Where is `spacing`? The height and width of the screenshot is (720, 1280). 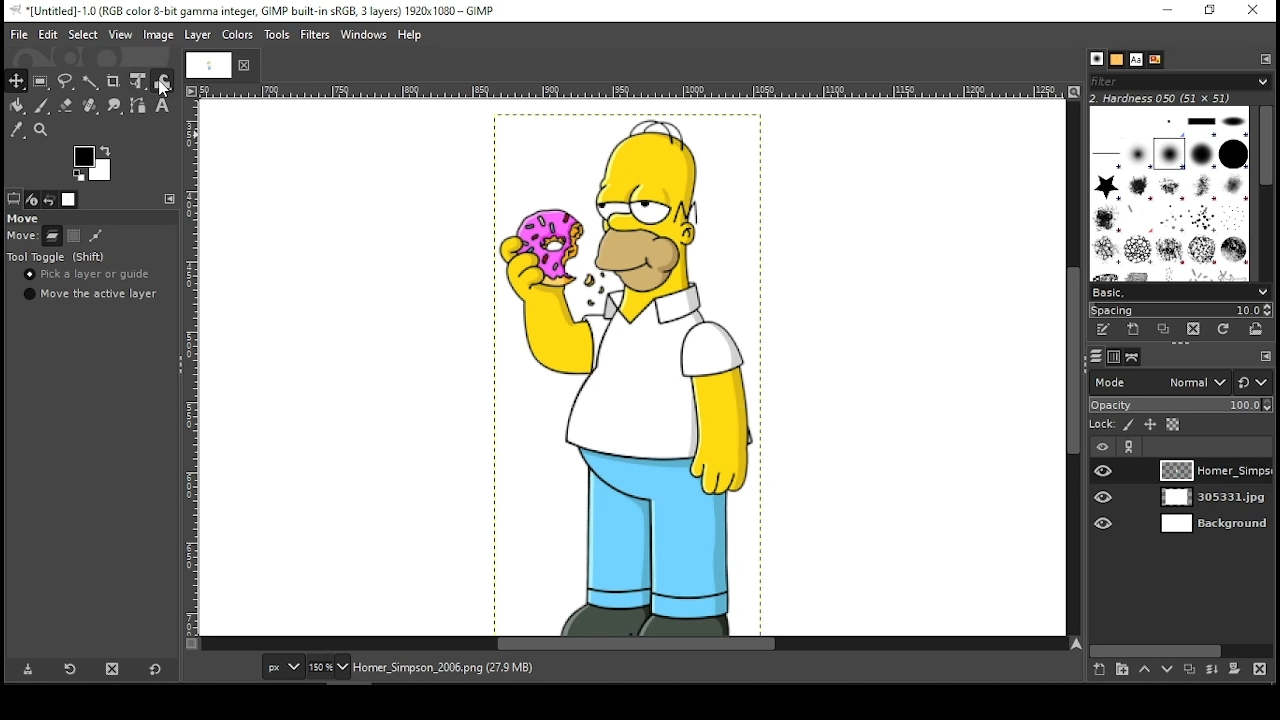
spacing is located at coordinates (1180, 310).